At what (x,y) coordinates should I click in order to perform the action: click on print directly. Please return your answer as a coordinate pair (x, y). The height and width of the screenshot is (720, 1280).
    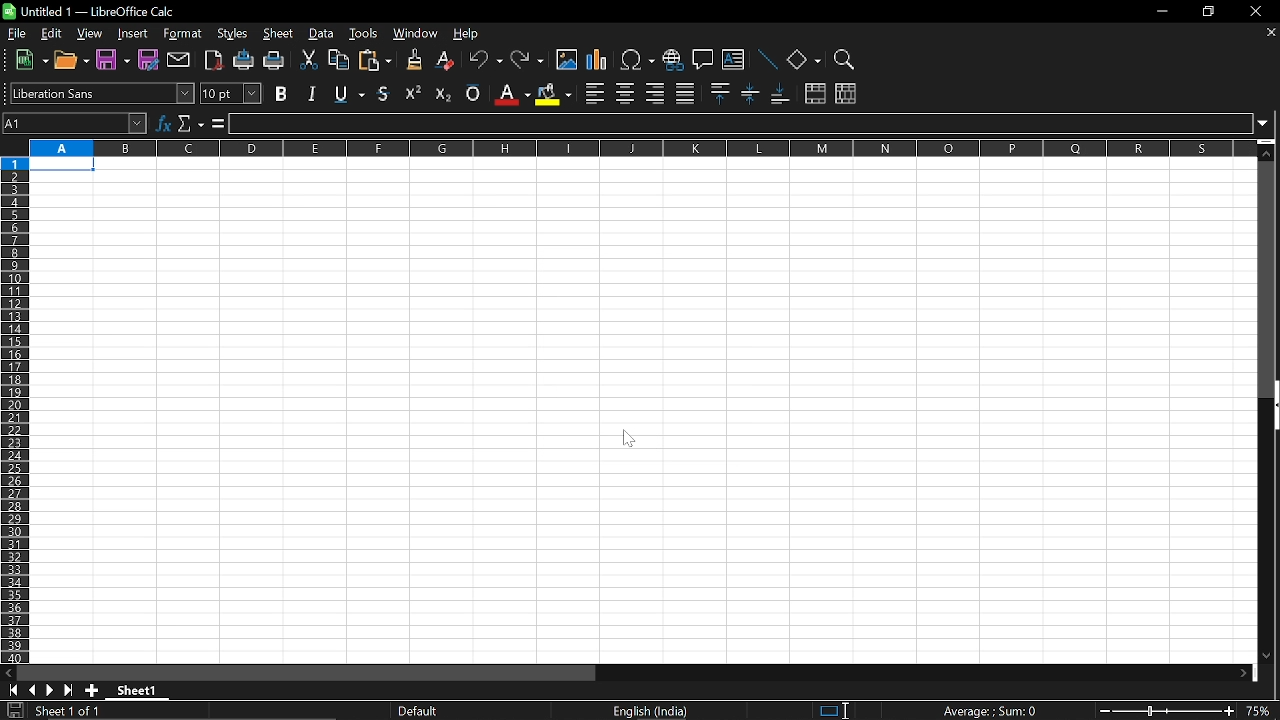
    Looking at the image, I should click on (244, 62).